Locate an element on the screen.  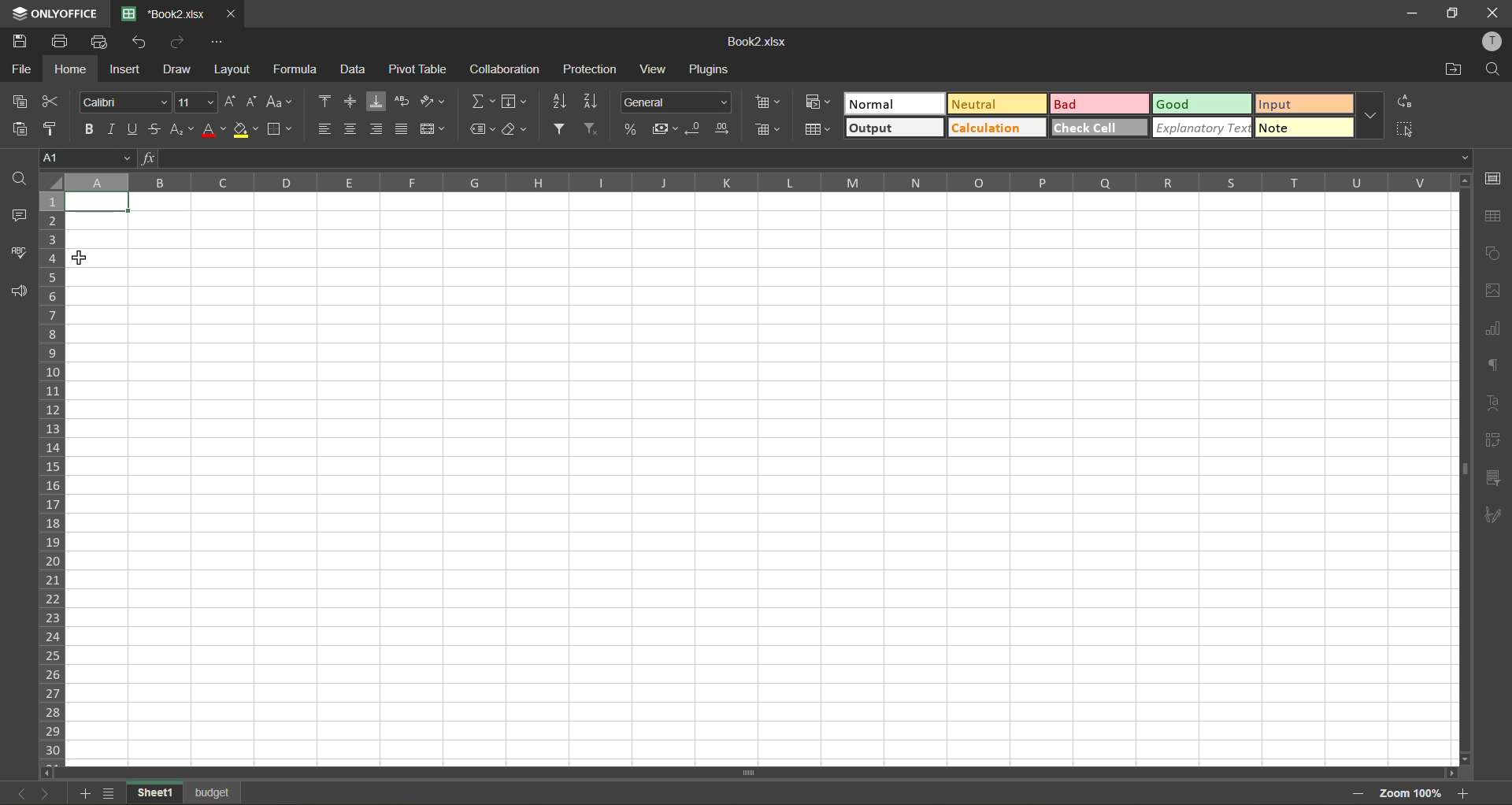
find is located at coordinates (18, 177).